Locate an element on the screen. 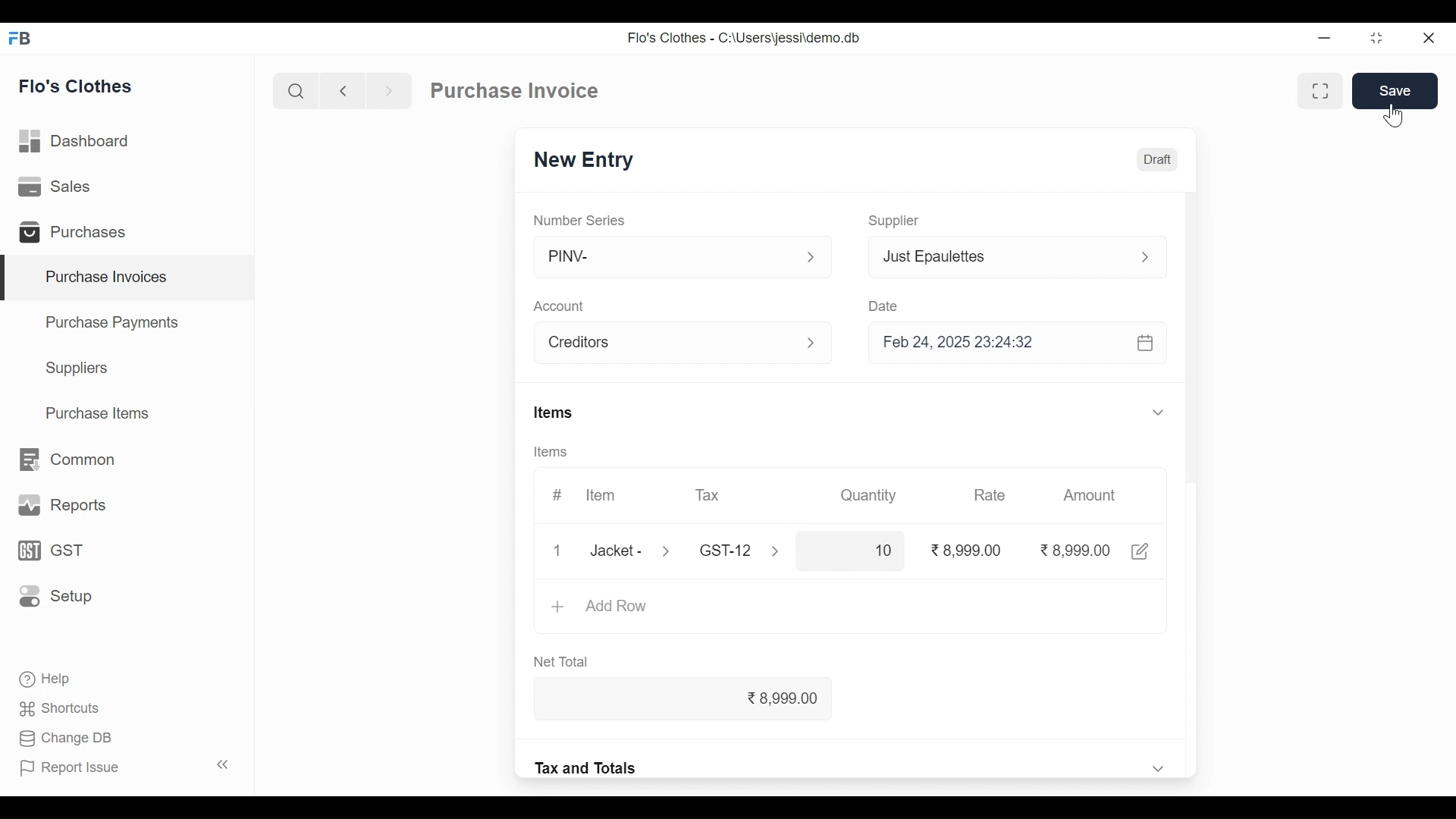 Image resolution: width=1456 pixels, height=819 pixels. Expand is located at coordinates (1160, 412).